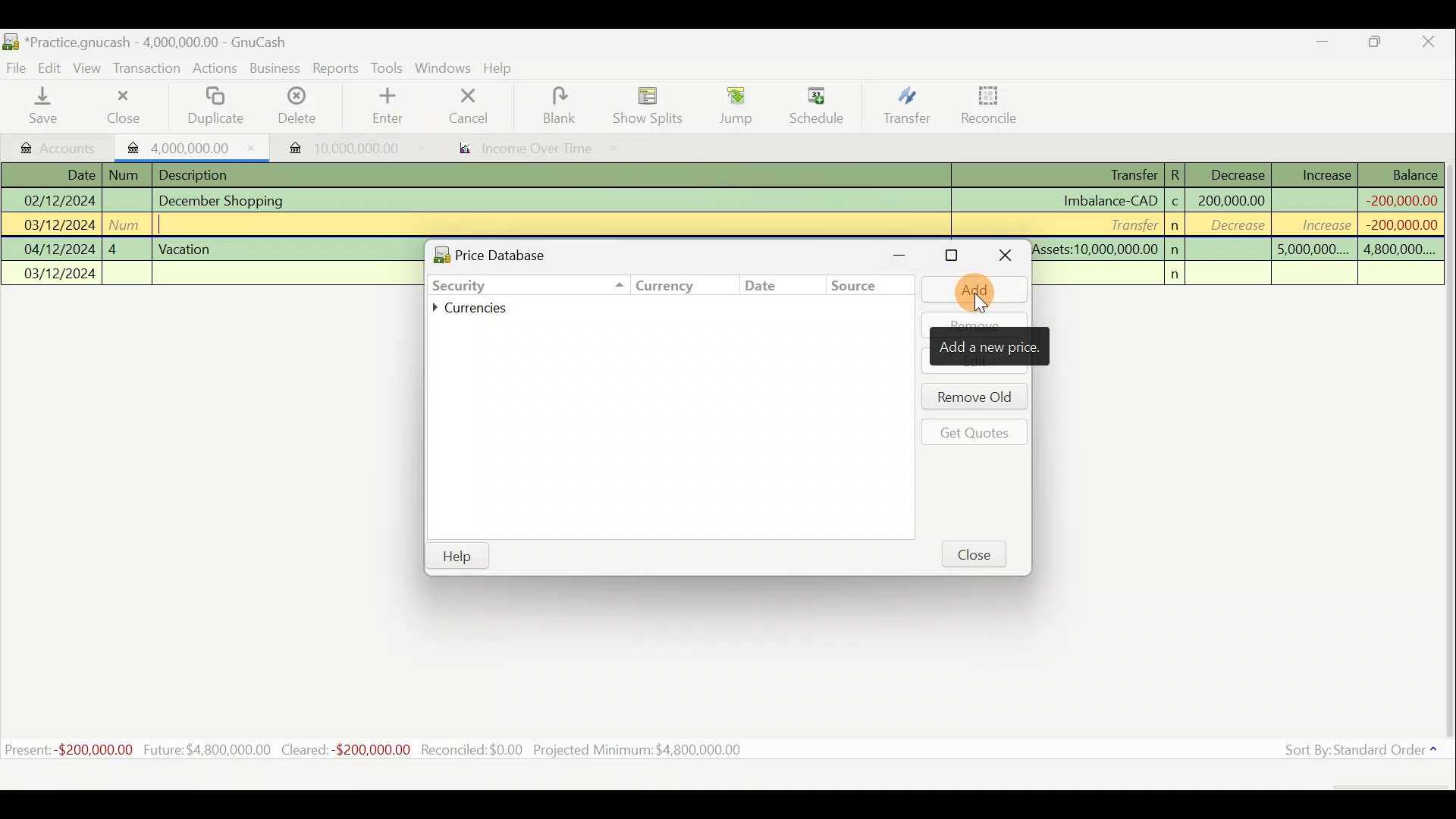 The height and width of the screenshot is (819, 1456). Describe the element at coordinates (504, 70) in the screenshot. I see `Help` at that location.